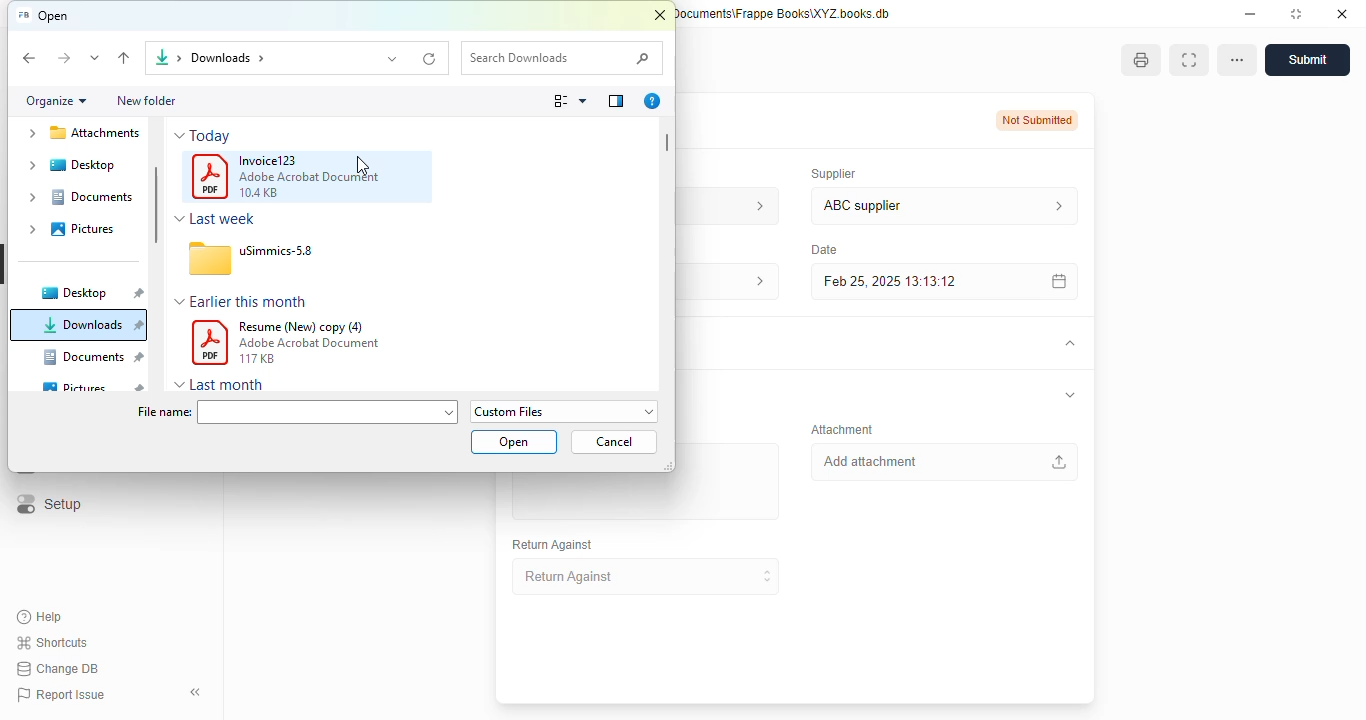 This screenshot has width=1366, height=720. I want to click on attachments, so click(80, 135).